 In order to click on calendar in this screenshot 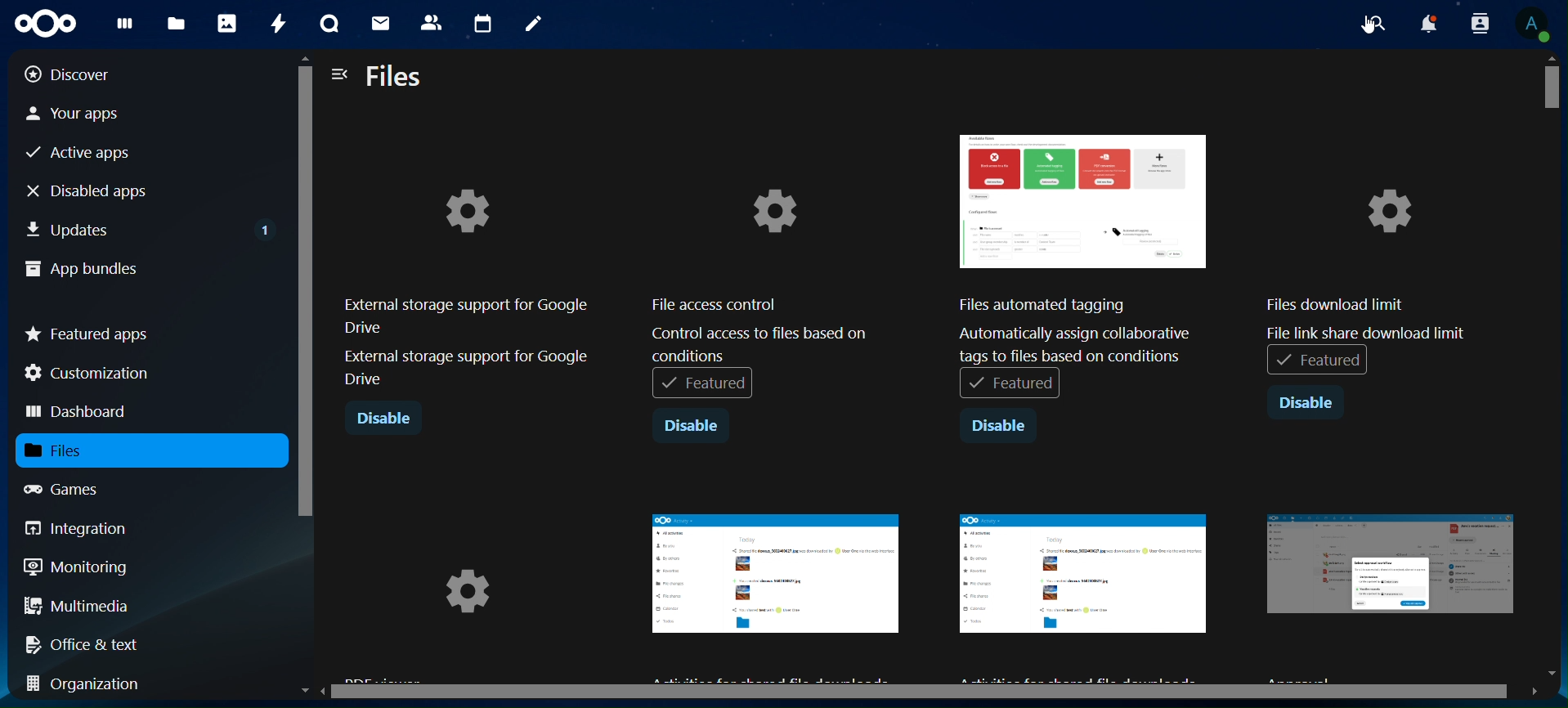, I will do `click(482, 21)`.